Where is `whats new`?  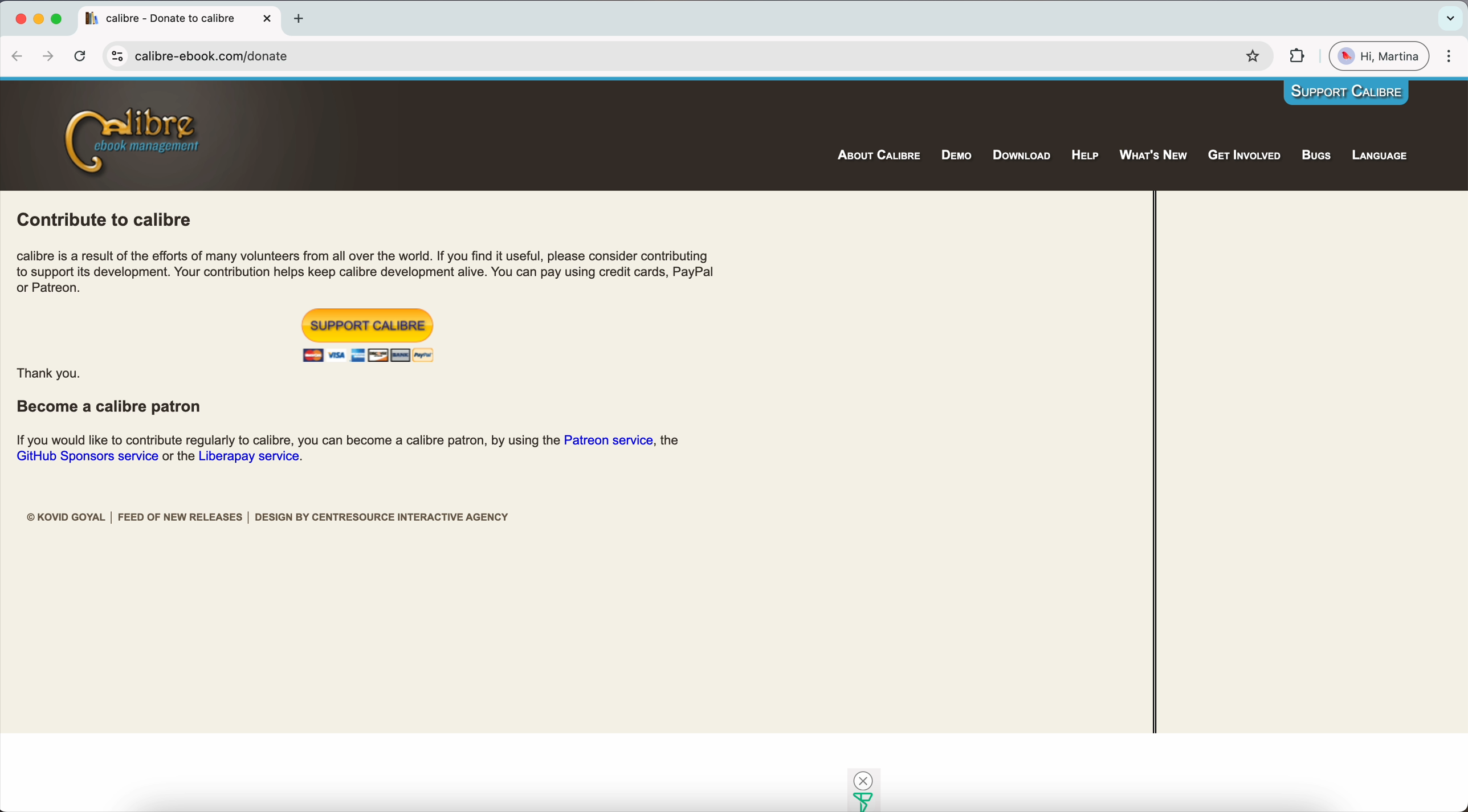
whats new is located at coordinates (1154, 156).